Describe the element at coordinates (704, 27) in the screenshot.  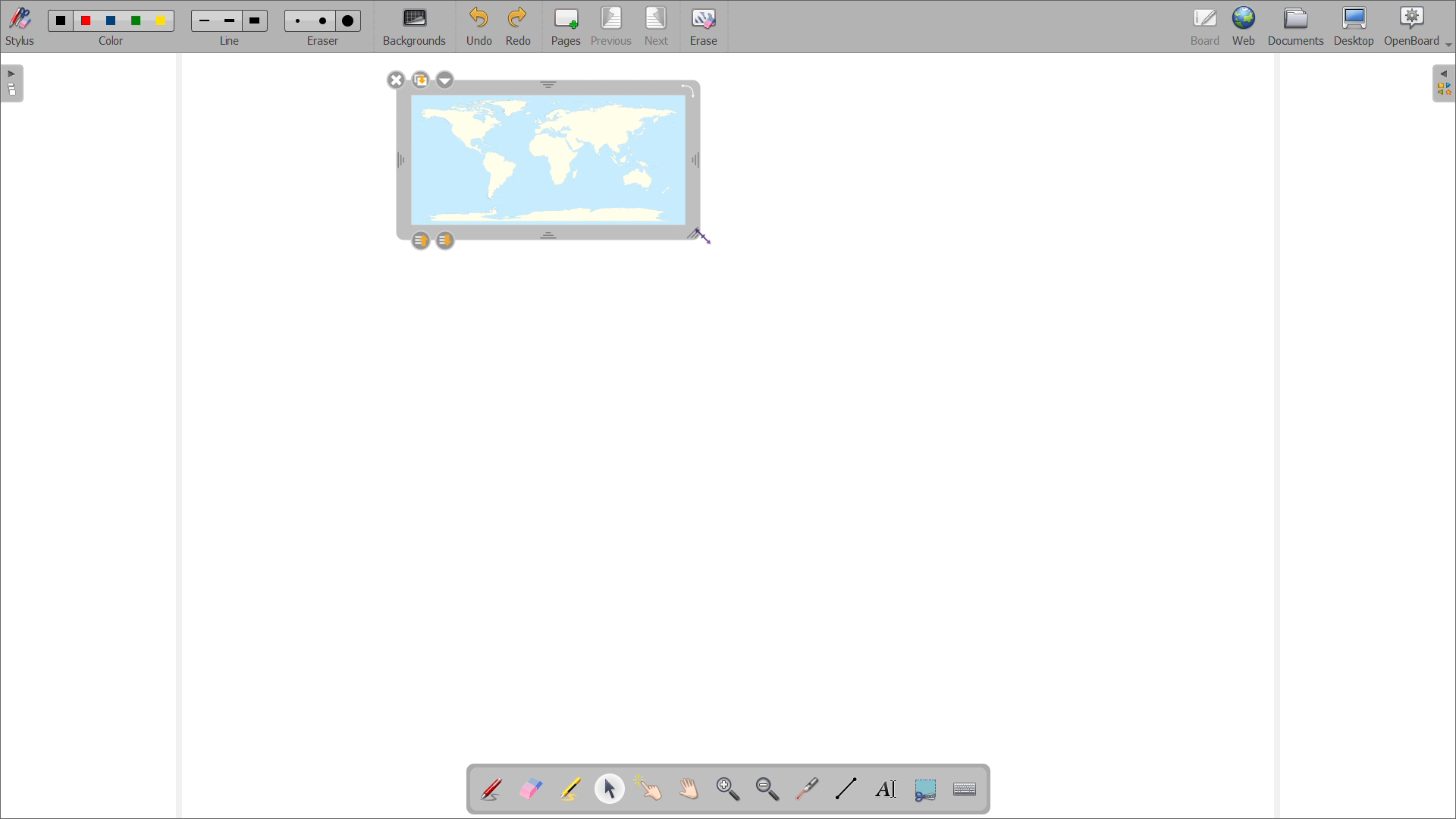
I see `erase` at that location.